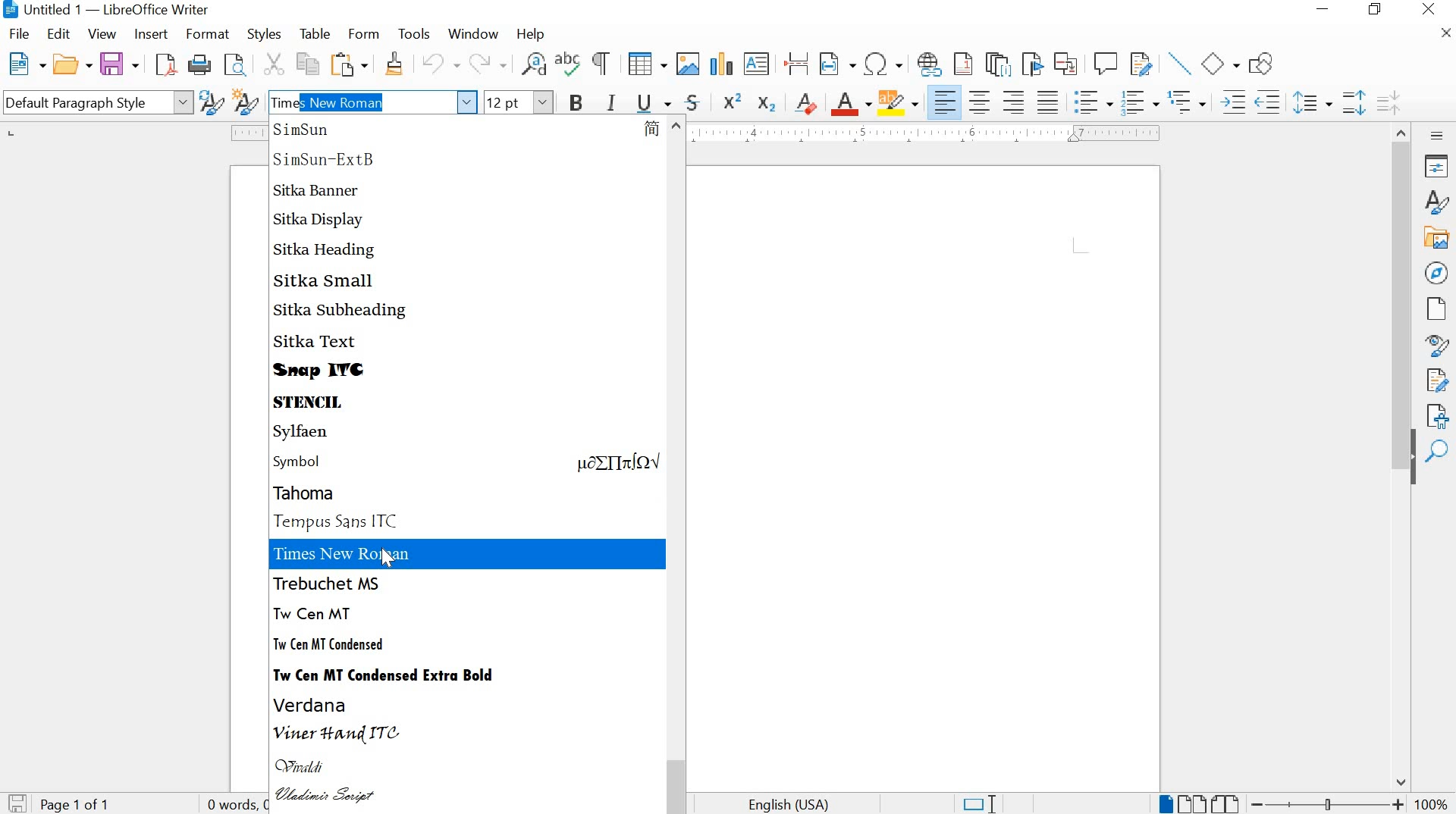 The width and height of the screenshot is (1456, 814). Describe the element at coordinates (1200, 802) in the screenshot. I see `PAGE VIEW` at that location.